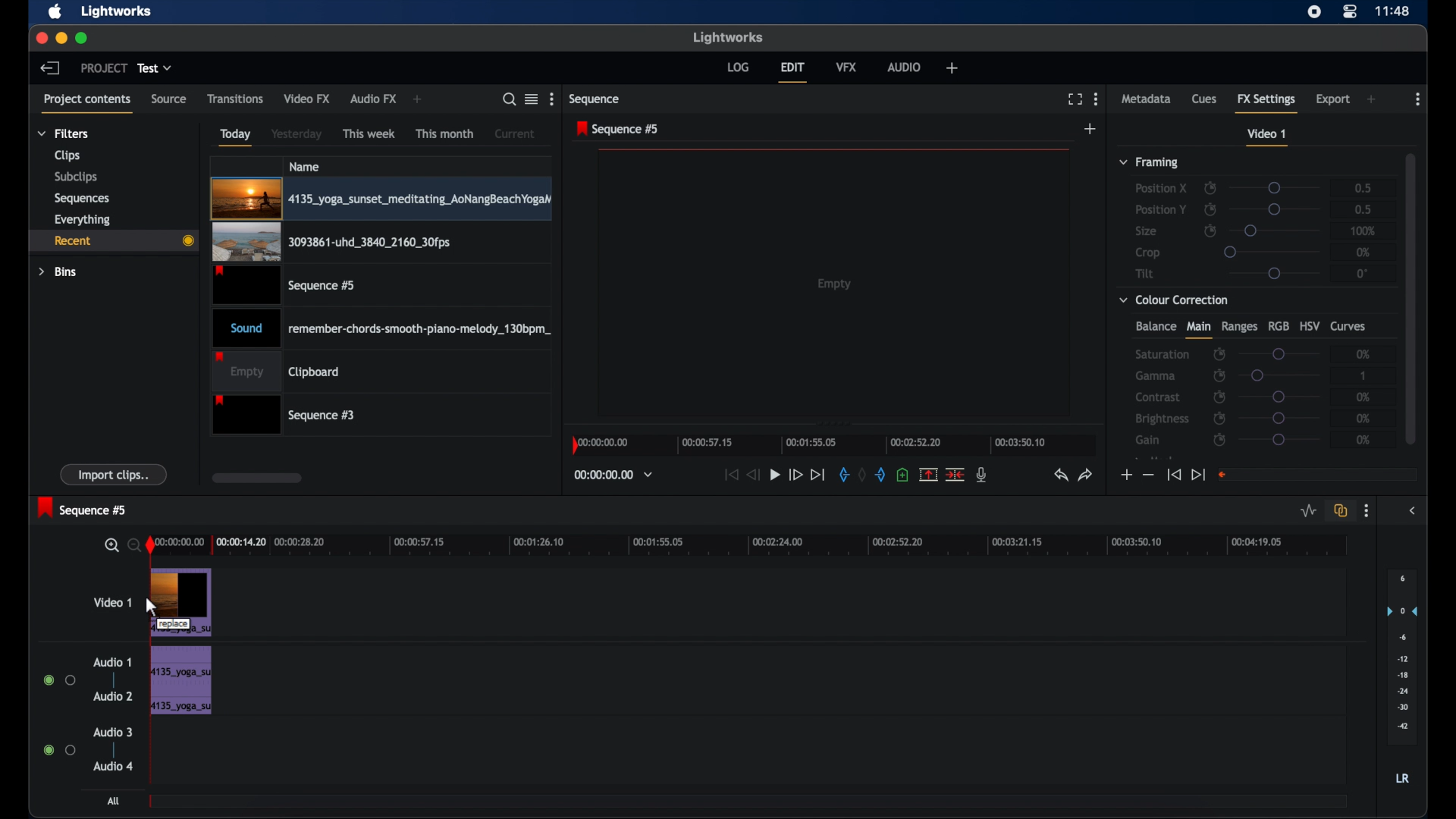  I want to click on apple icon, so click(56, 12).